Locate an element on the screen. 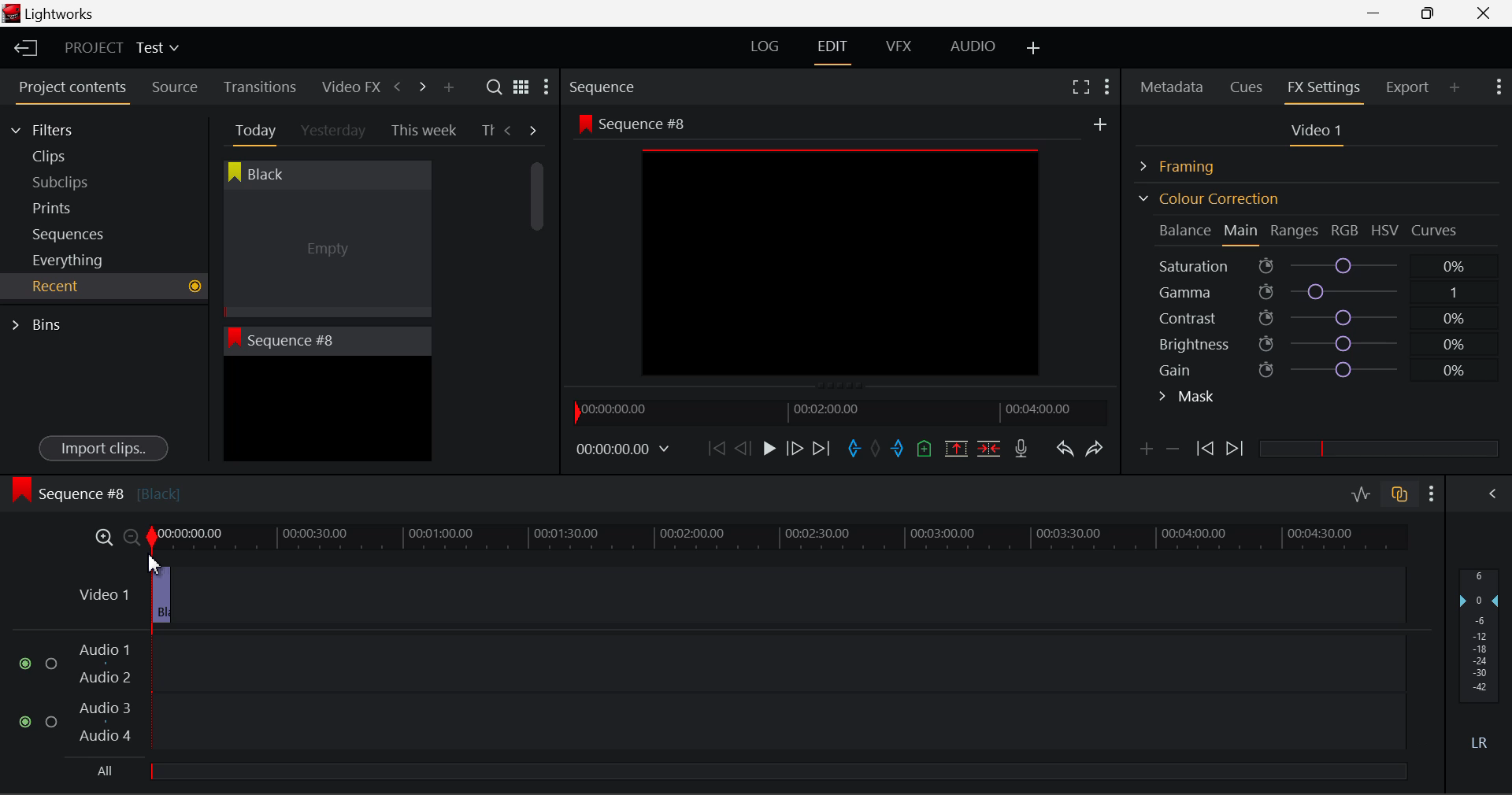 Image resolution: width=1512 pixels, height=795 pixels. Show Settings is located at coordinates (1432, 494).